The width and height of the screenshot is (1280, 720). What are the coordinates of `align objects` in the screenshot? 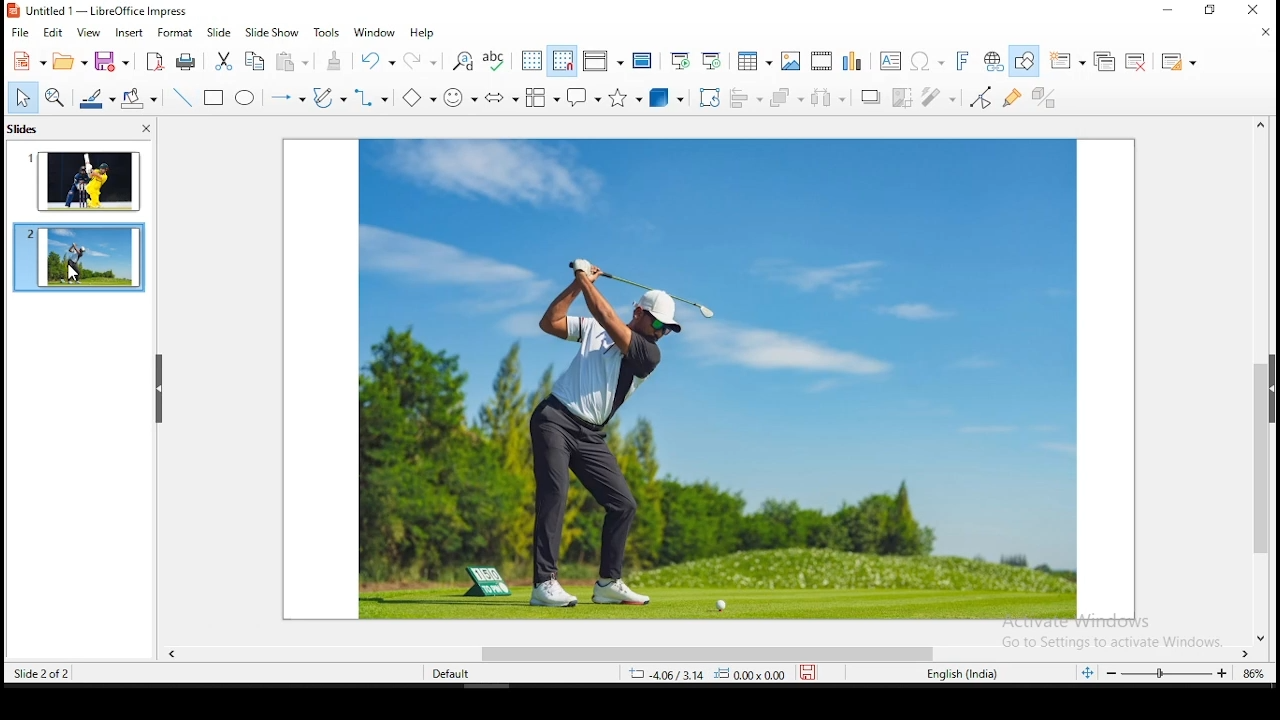 It's located at (747, 99).